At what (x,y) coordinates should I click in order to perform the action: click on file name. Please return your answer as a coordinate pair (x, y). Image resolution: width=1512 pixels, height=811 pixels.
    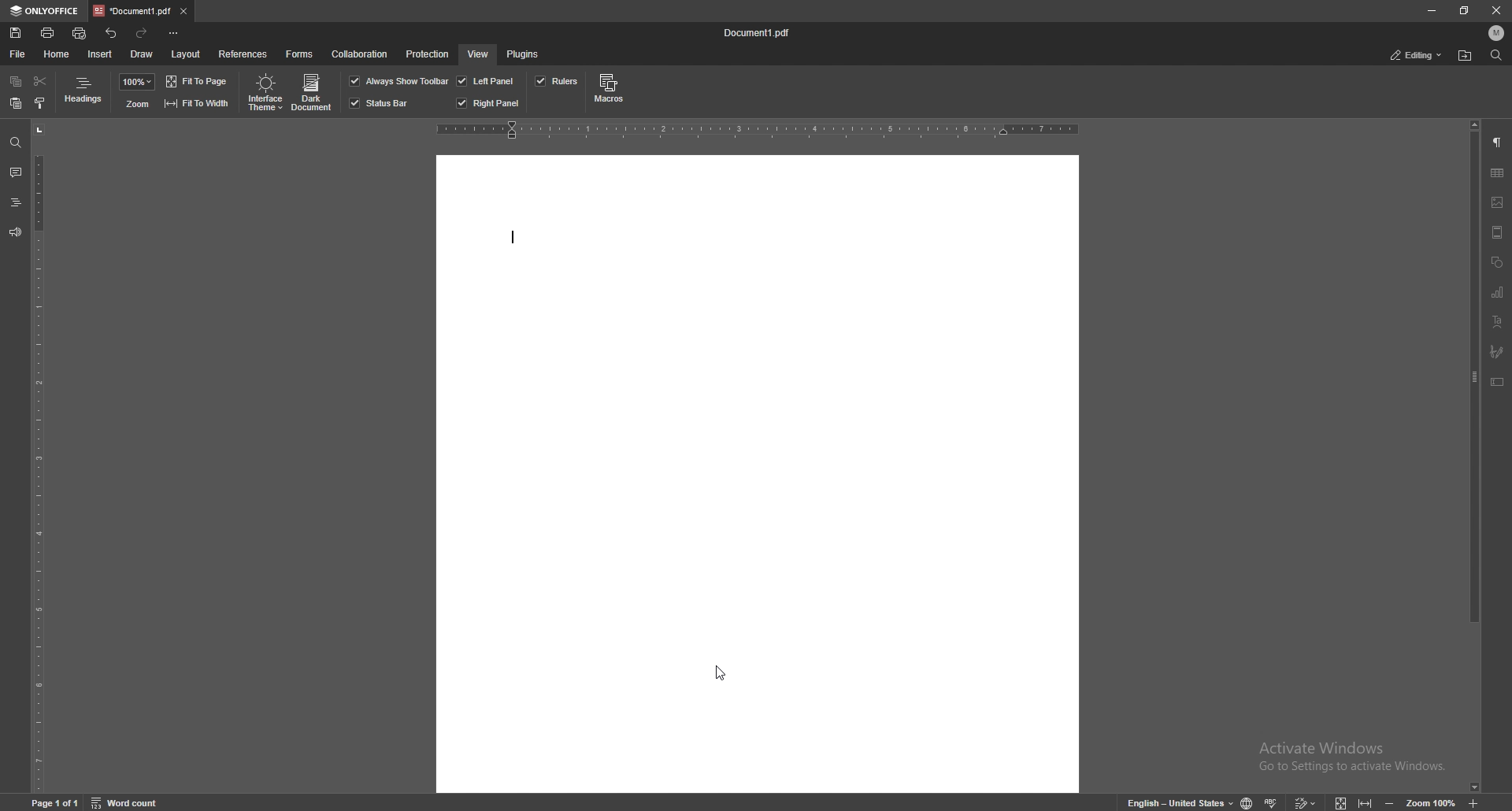
    Looking at the image, I should click on (761, 34).